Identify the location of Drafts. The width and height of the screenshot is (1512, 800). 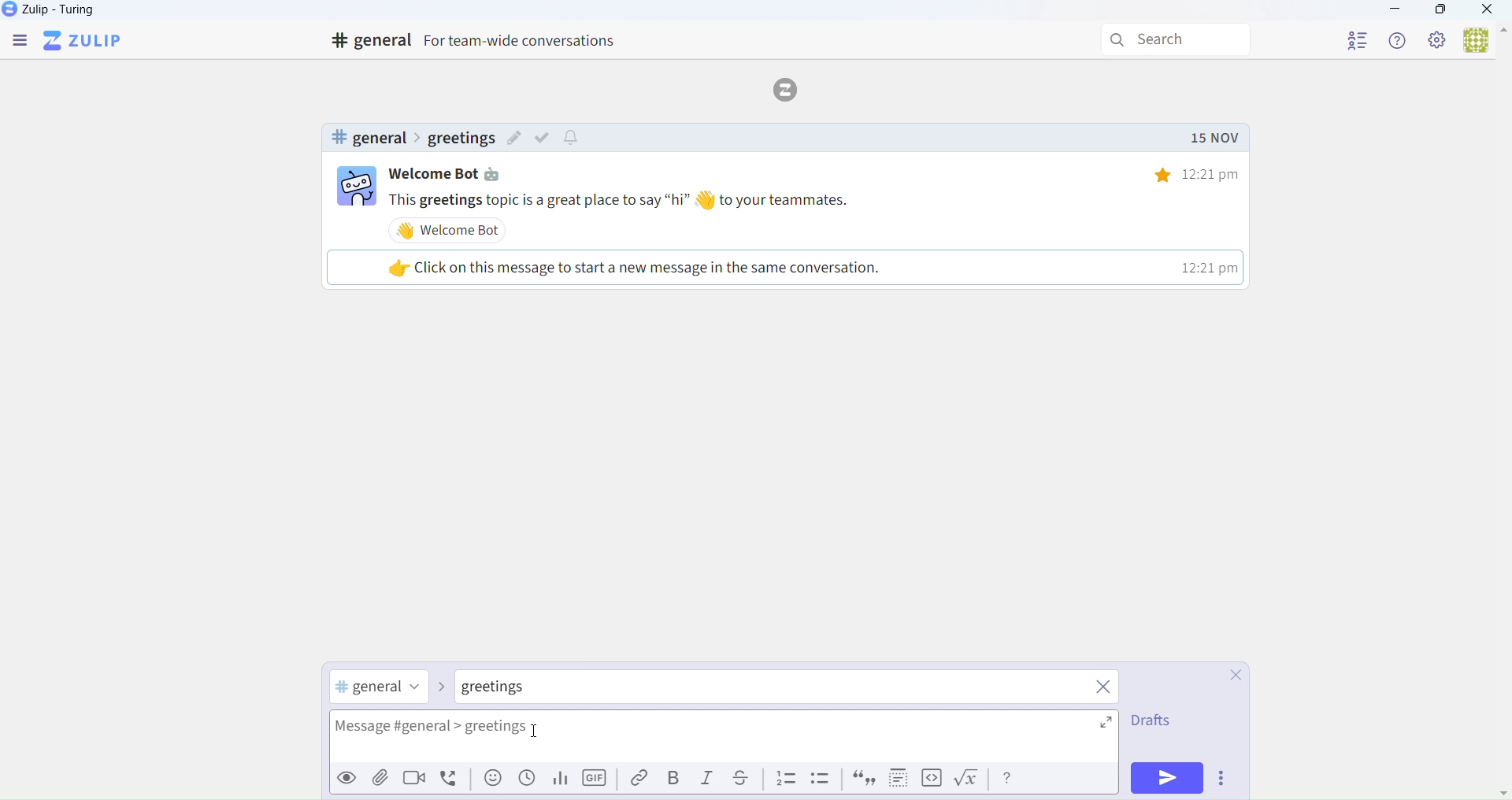
(1150, 724).